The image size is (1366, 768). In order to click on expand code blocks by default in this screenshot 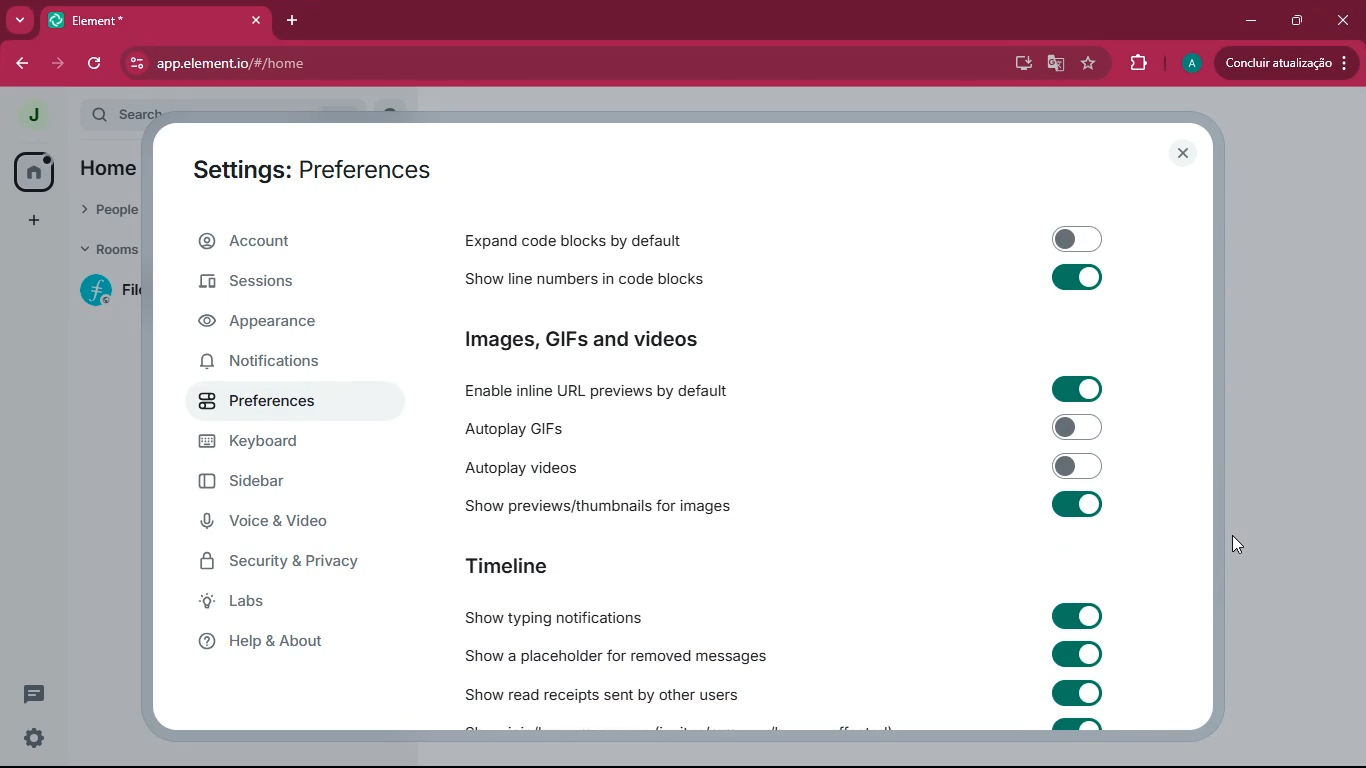, I will do `click(612, 240)`.